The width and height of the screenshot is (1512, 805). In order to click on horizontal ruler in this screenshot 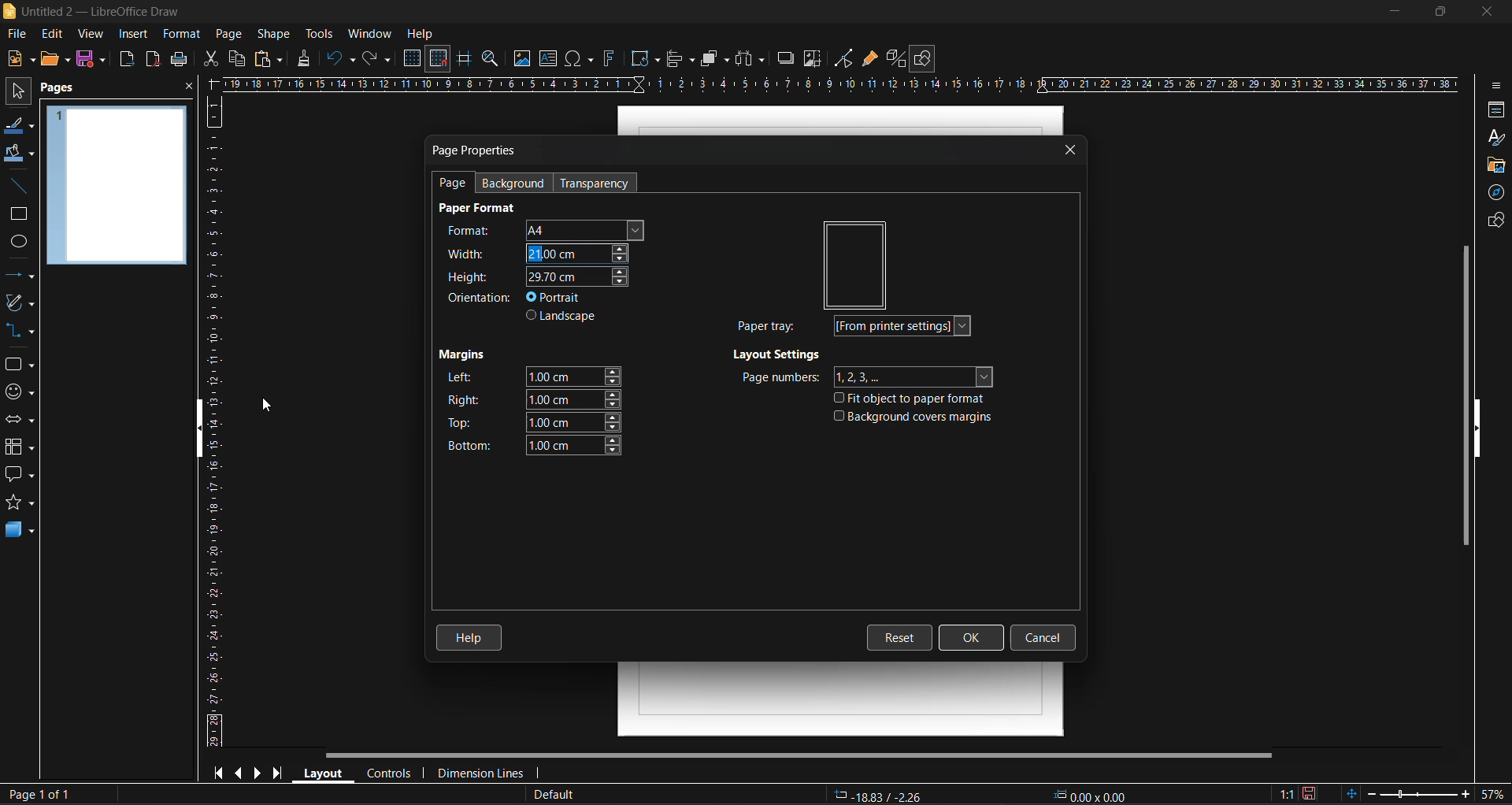, I will do `click(845, 83)`.